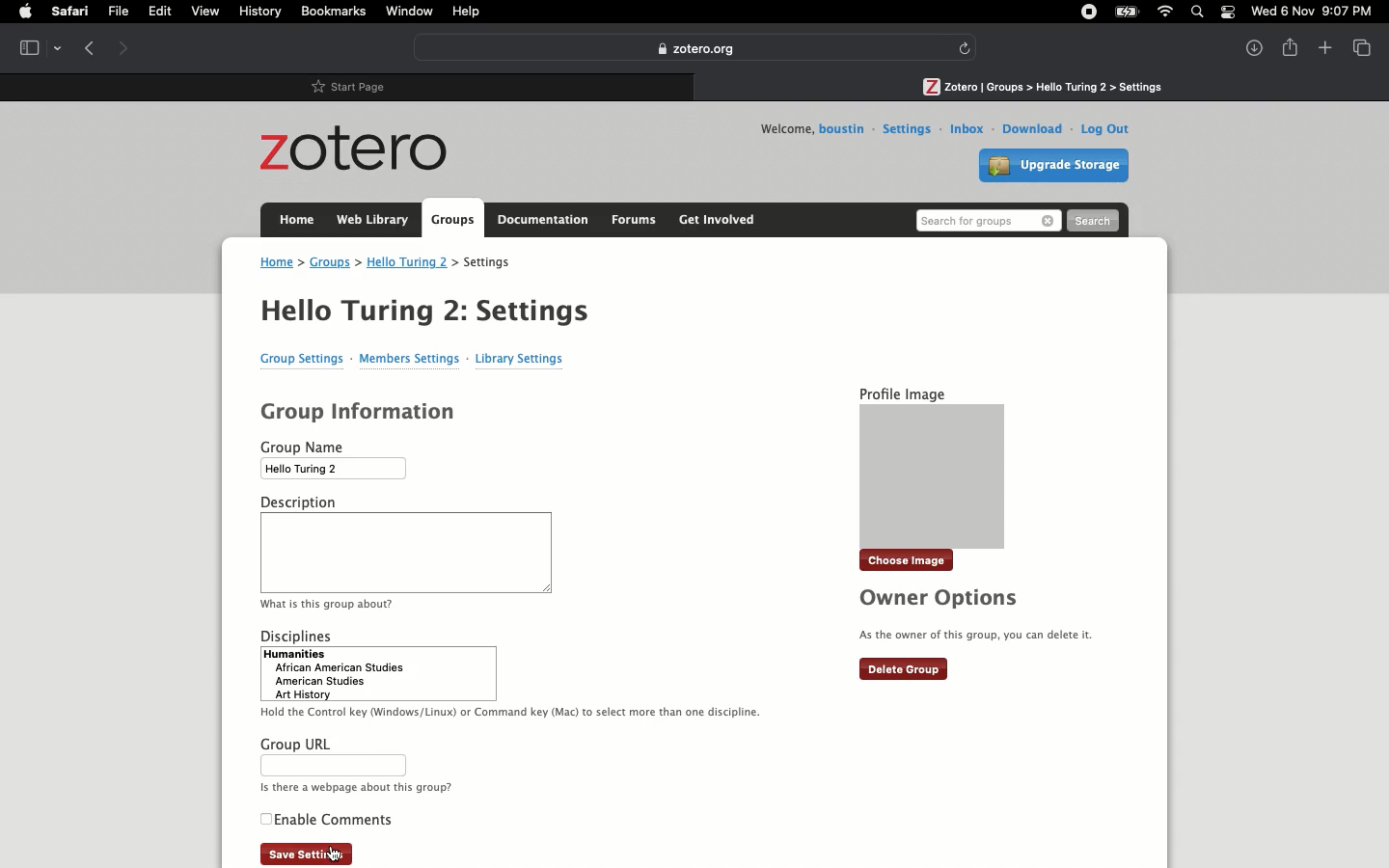 Image resolution: width=1389 pixels, height=868 pixels. Describe the element at coordinates (633, 218) in the screenshot. I see `Forums` at that location.